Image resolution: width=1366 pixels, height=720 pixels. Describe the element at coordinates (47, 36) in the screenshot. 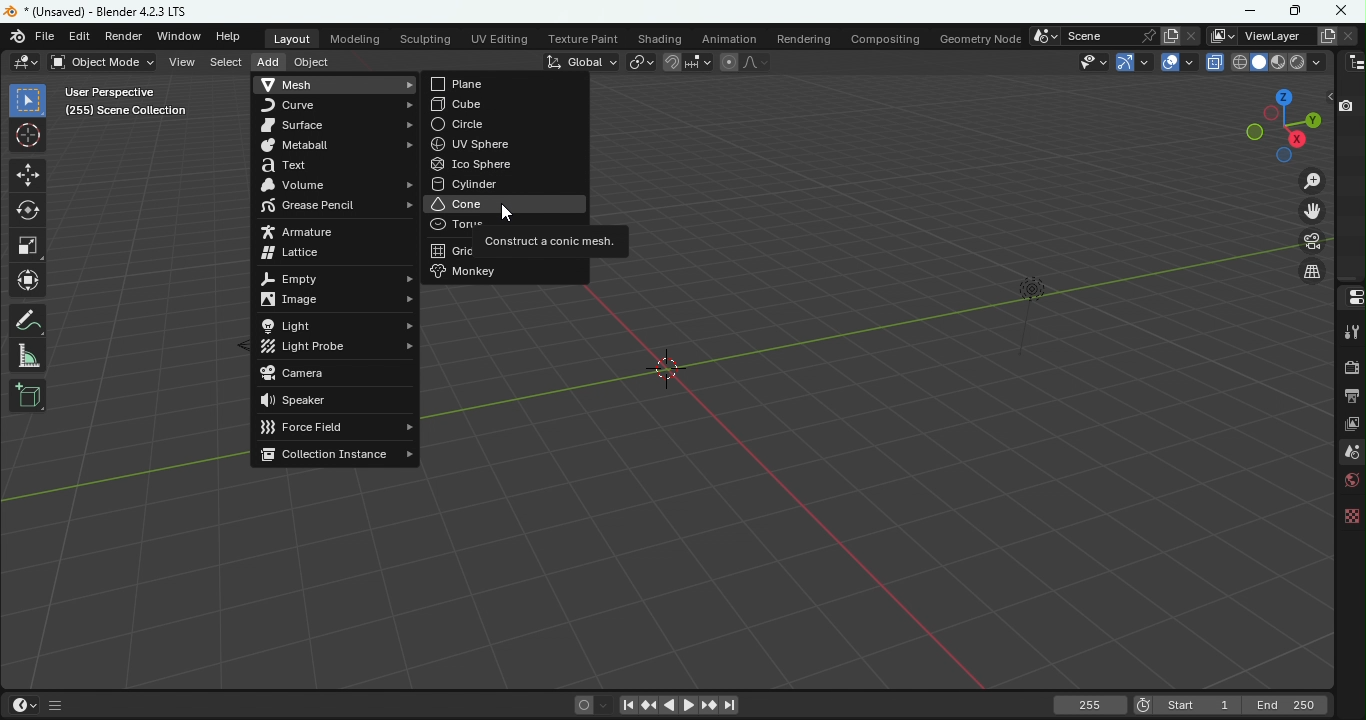

I see `File` at that location.